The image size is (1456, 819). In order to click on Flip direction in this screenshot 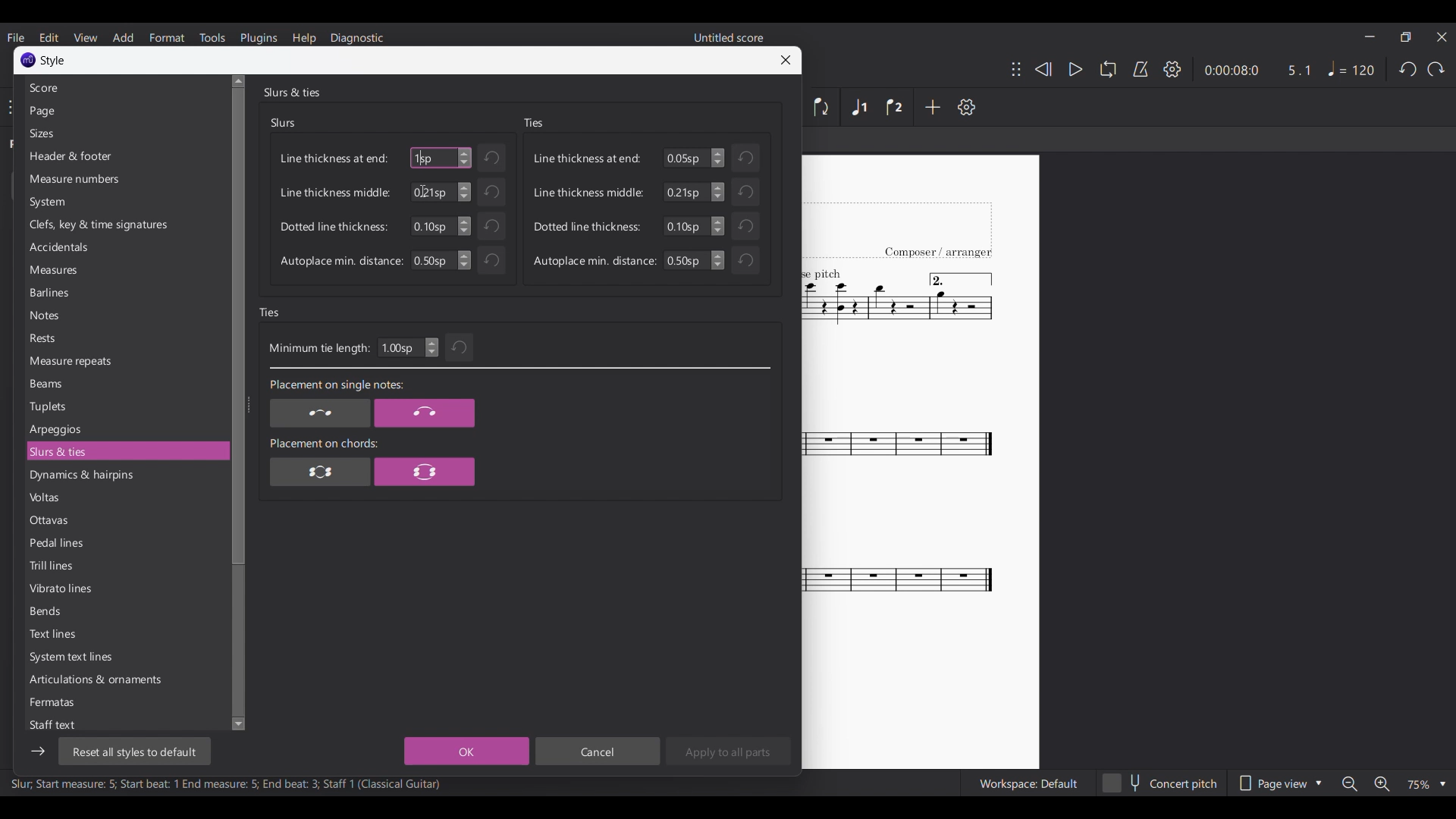, I will do `click(822, 107)`.